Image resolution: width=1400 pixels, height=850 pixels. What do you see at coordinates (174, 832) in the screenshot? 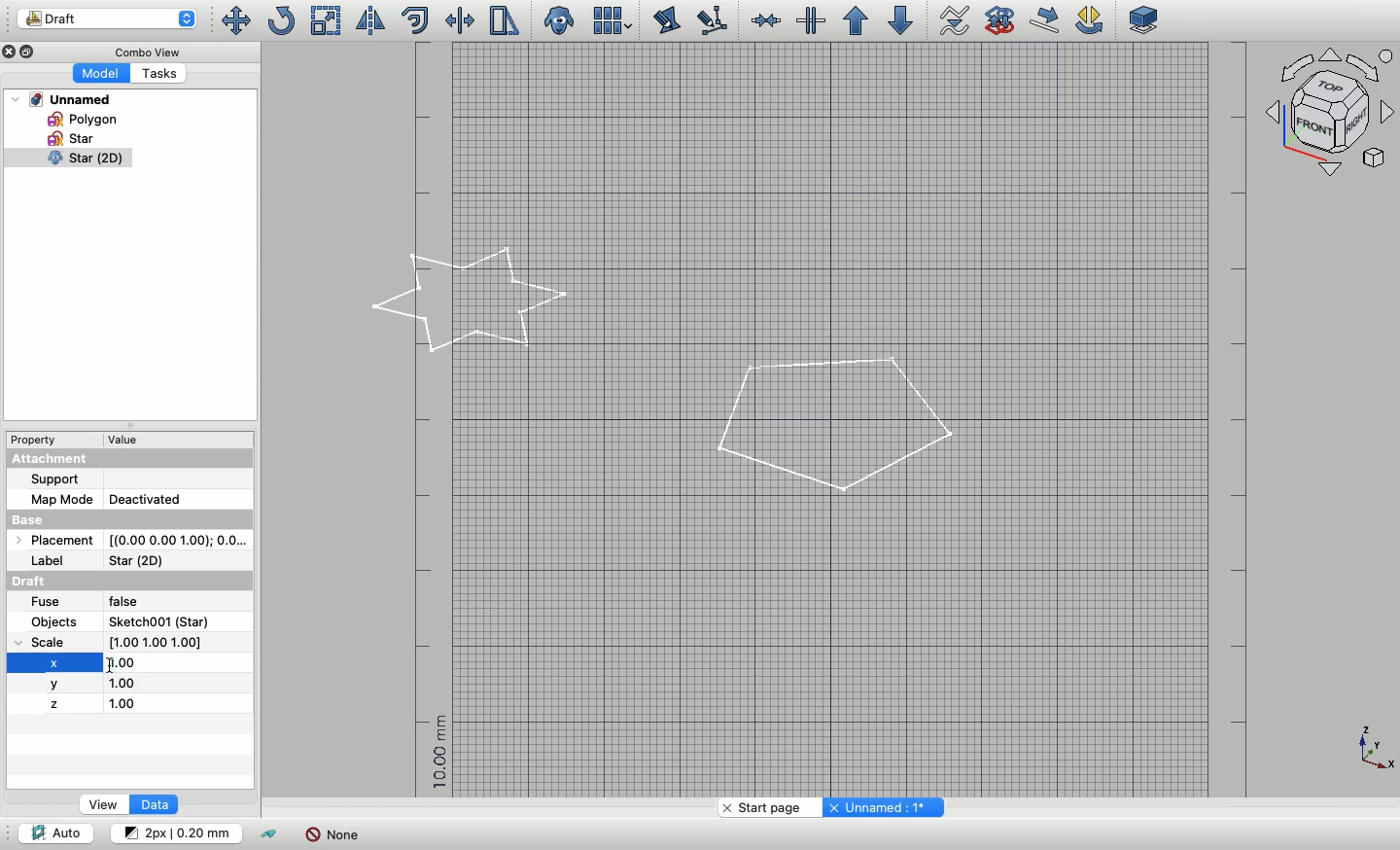
I see `Change default style for new objects` at bounding box center [174, 832].